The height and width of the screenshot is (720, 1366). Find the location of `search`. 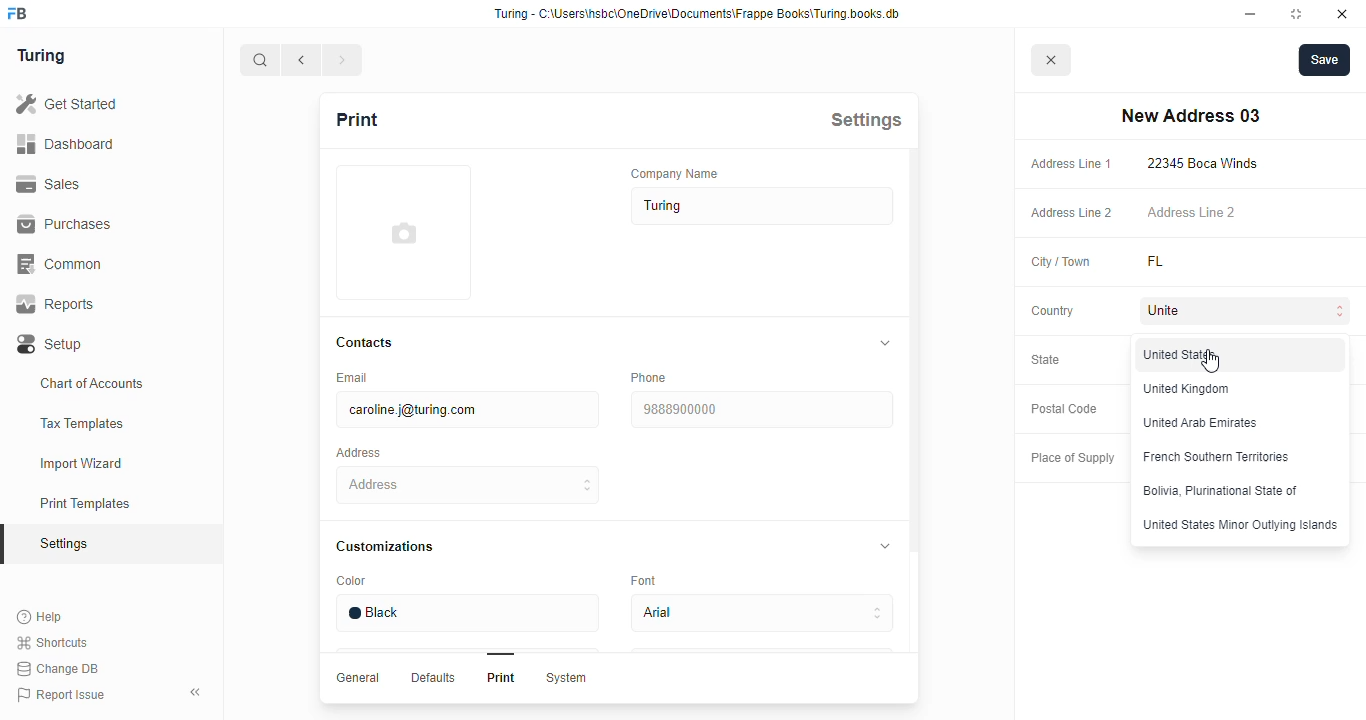

search is located at coordinates (260, 60).